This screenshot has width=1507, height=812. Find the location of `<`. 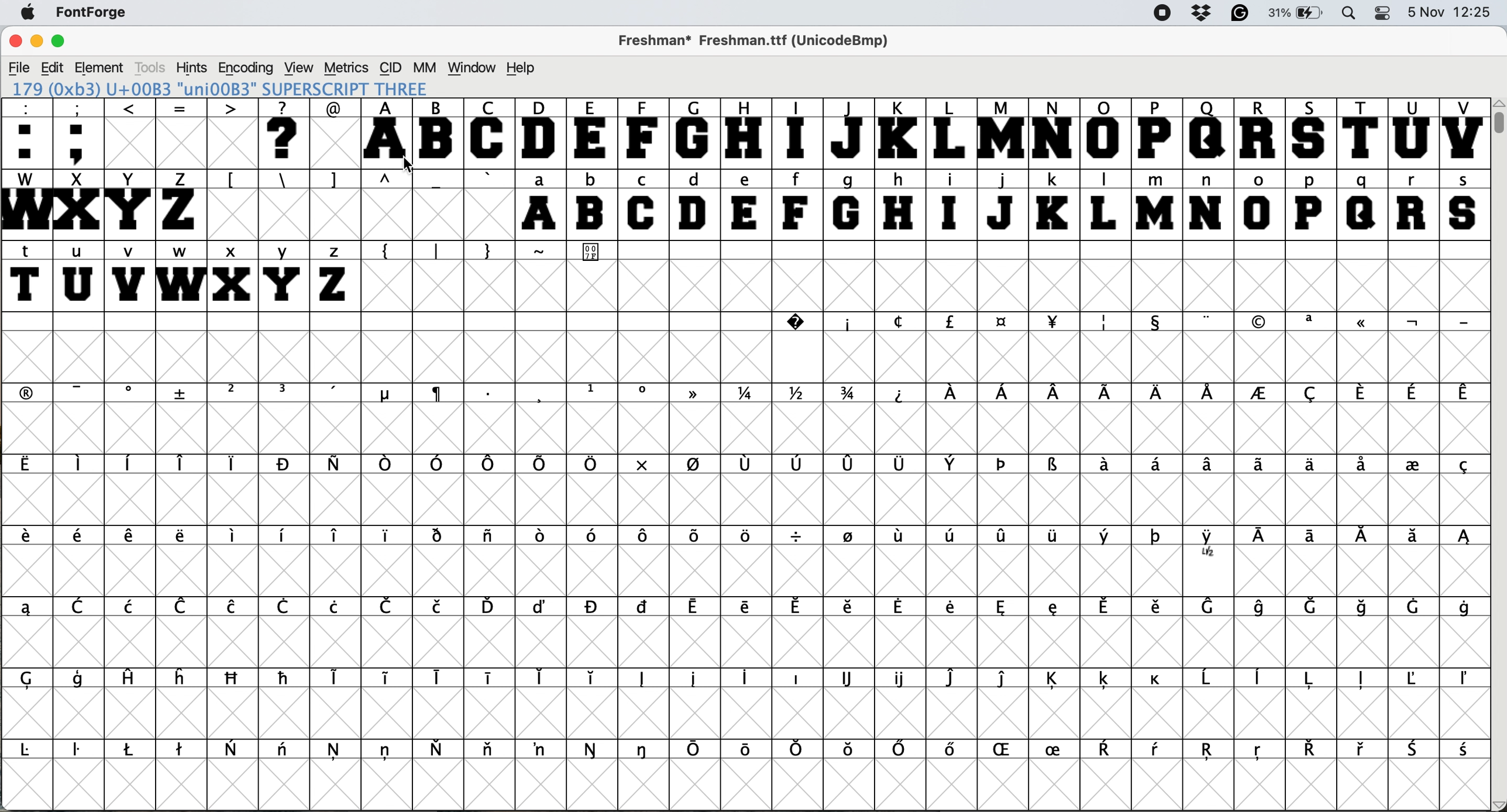

< is located at coordinates (130, 133).